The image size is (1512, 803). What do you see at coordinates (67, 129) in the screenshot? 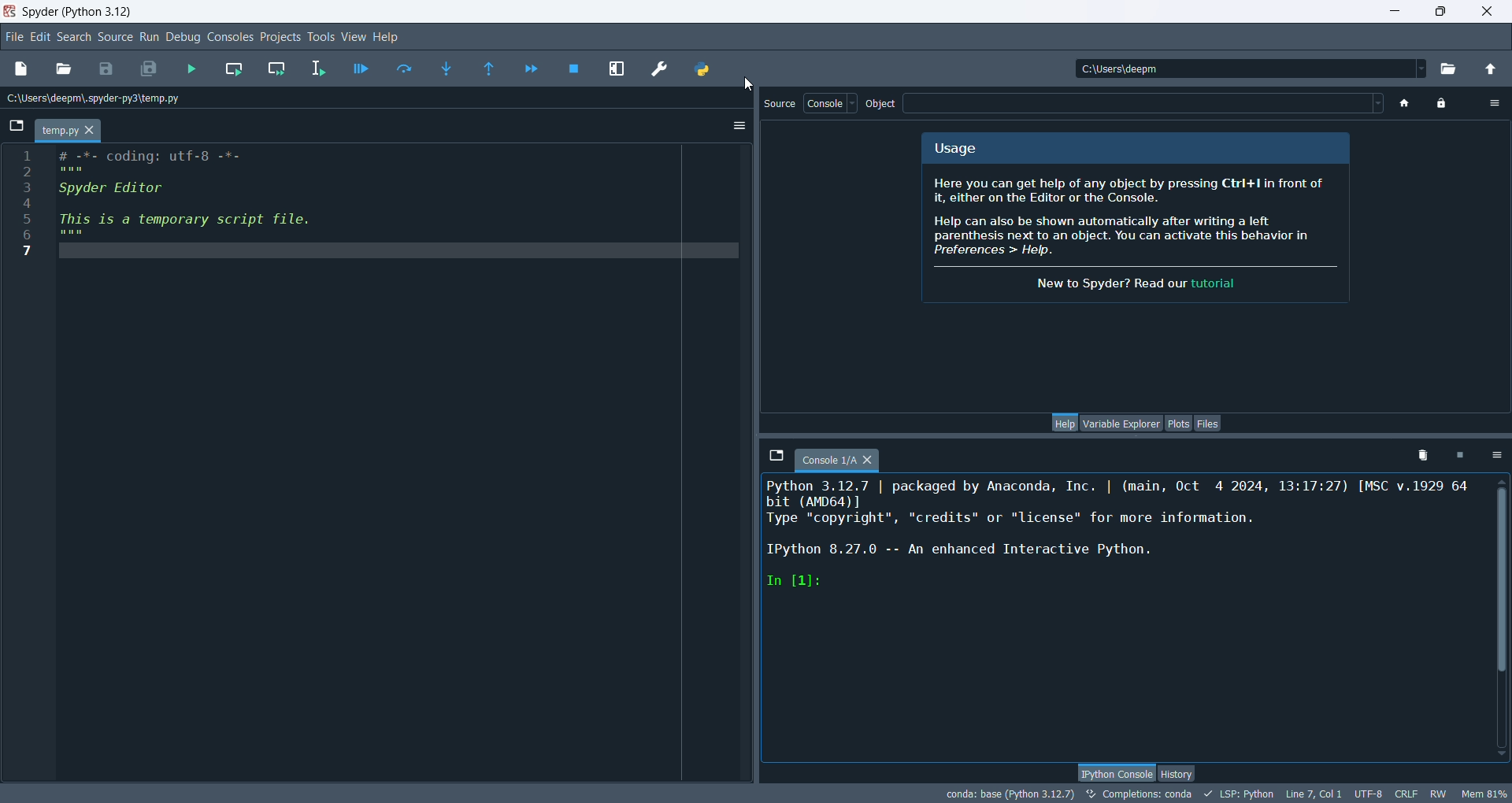
I see `temp.py` at bounding box center [67, 129].